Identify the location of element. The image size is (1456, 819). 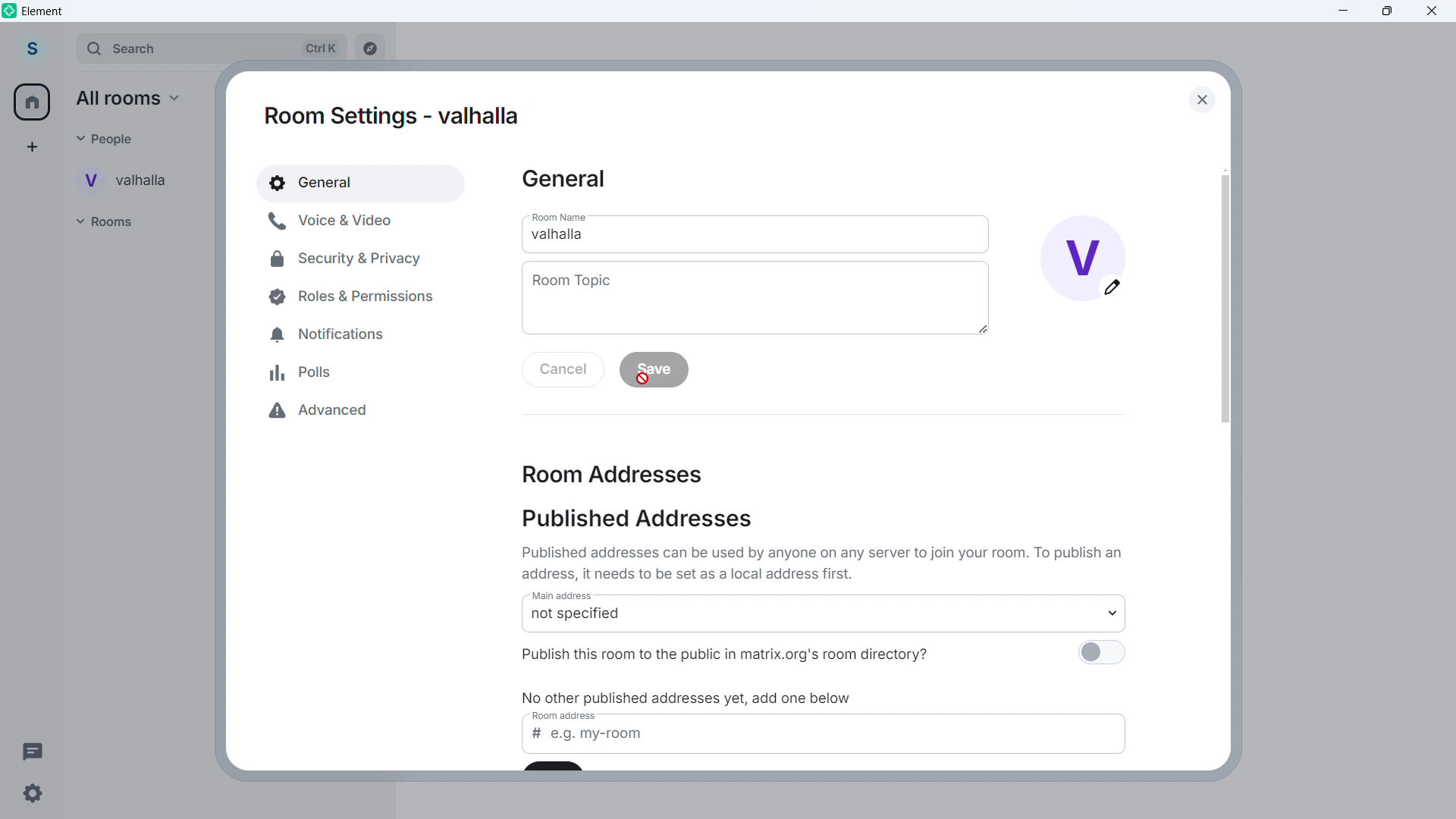
(42, 11).